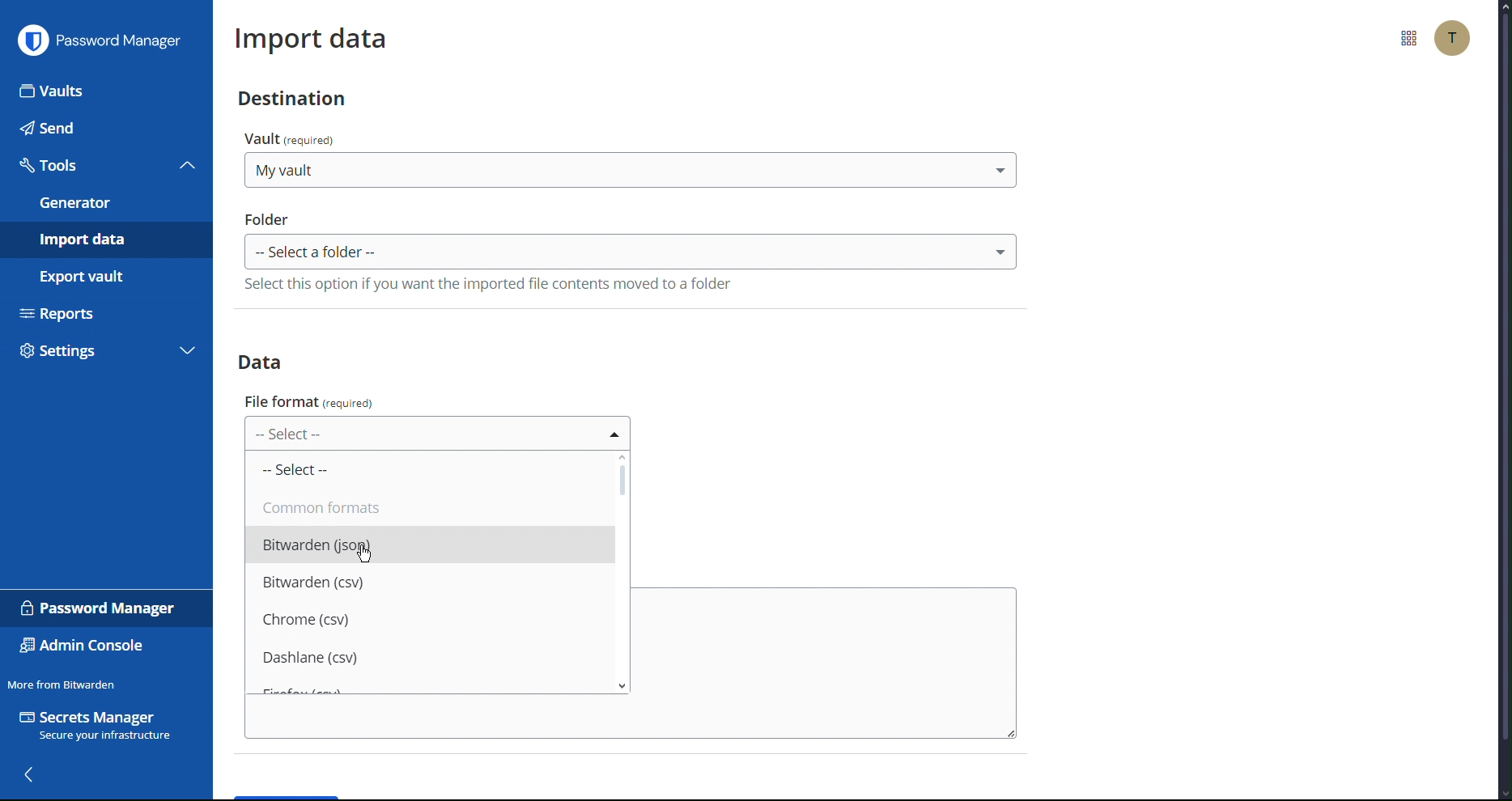 The image size is (1512, 801). I want to click on Data, so click(268, 359).